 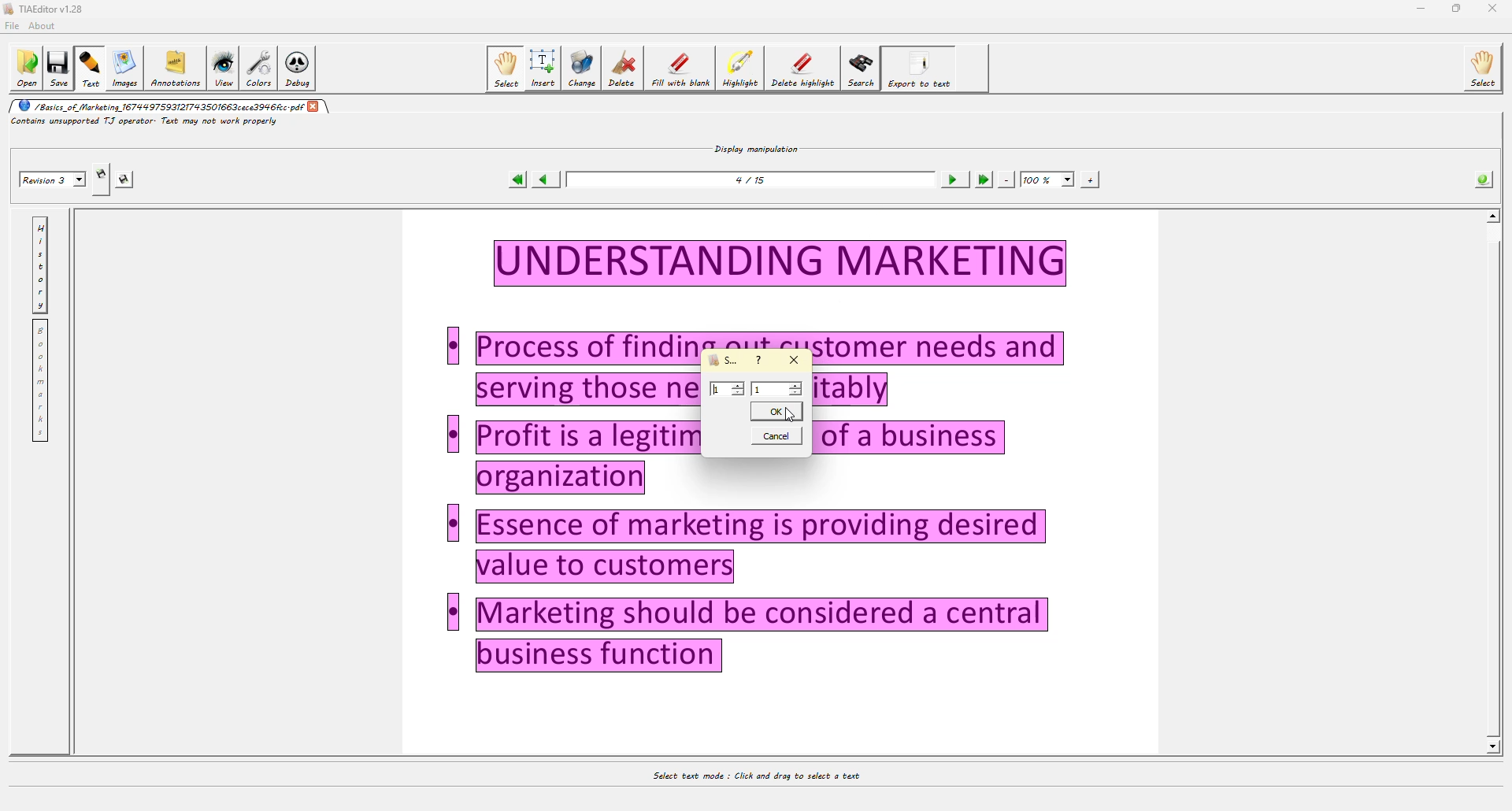 What do you see at coordinates (778, 389) in the screenshot?
I see `value` at bounding box center [778, 389].